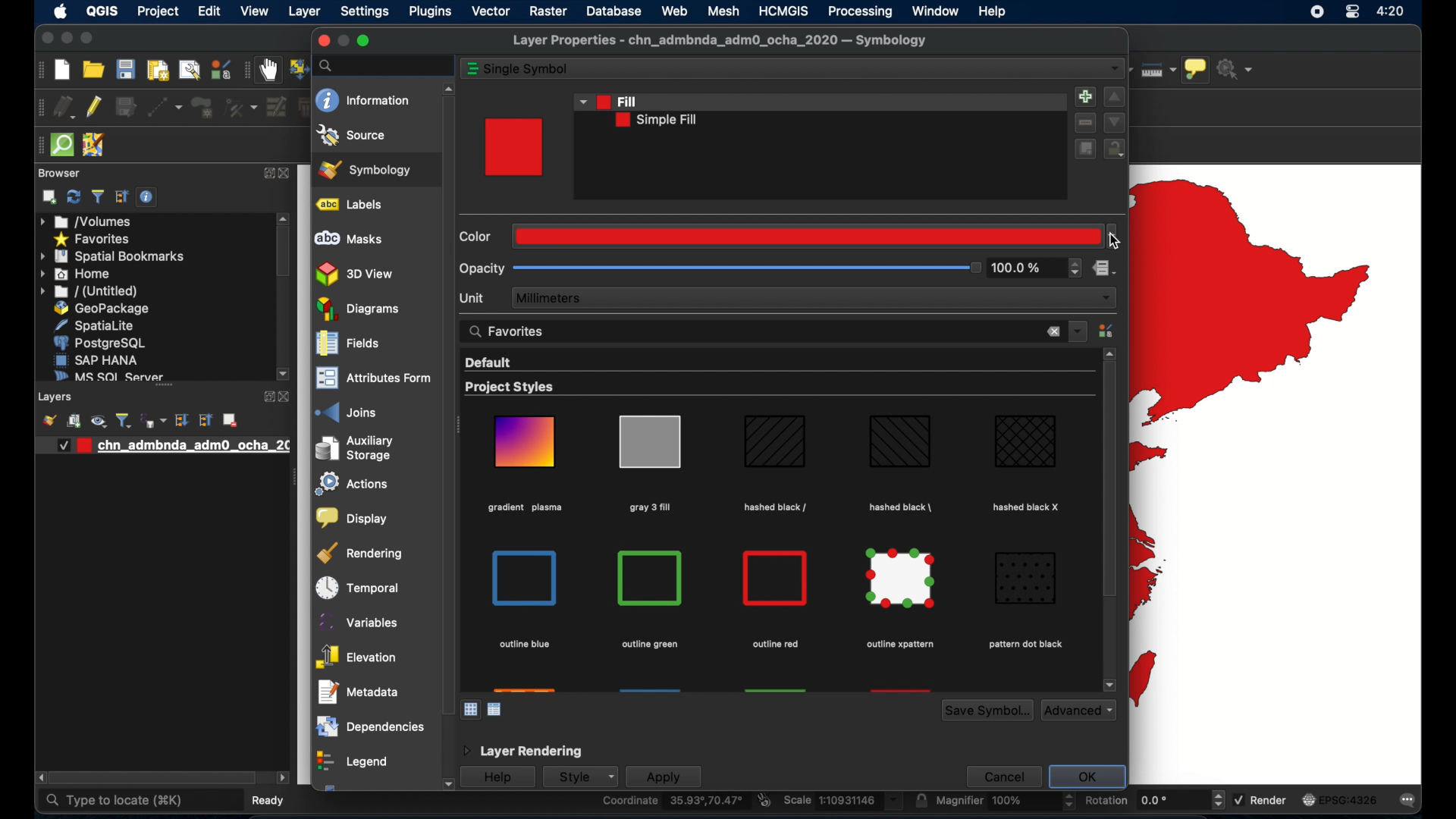 This screenshot has width=1456, height=819. Describe the element at coordinates (99, 197) in the screenshot. I see `filter browser` at that location.